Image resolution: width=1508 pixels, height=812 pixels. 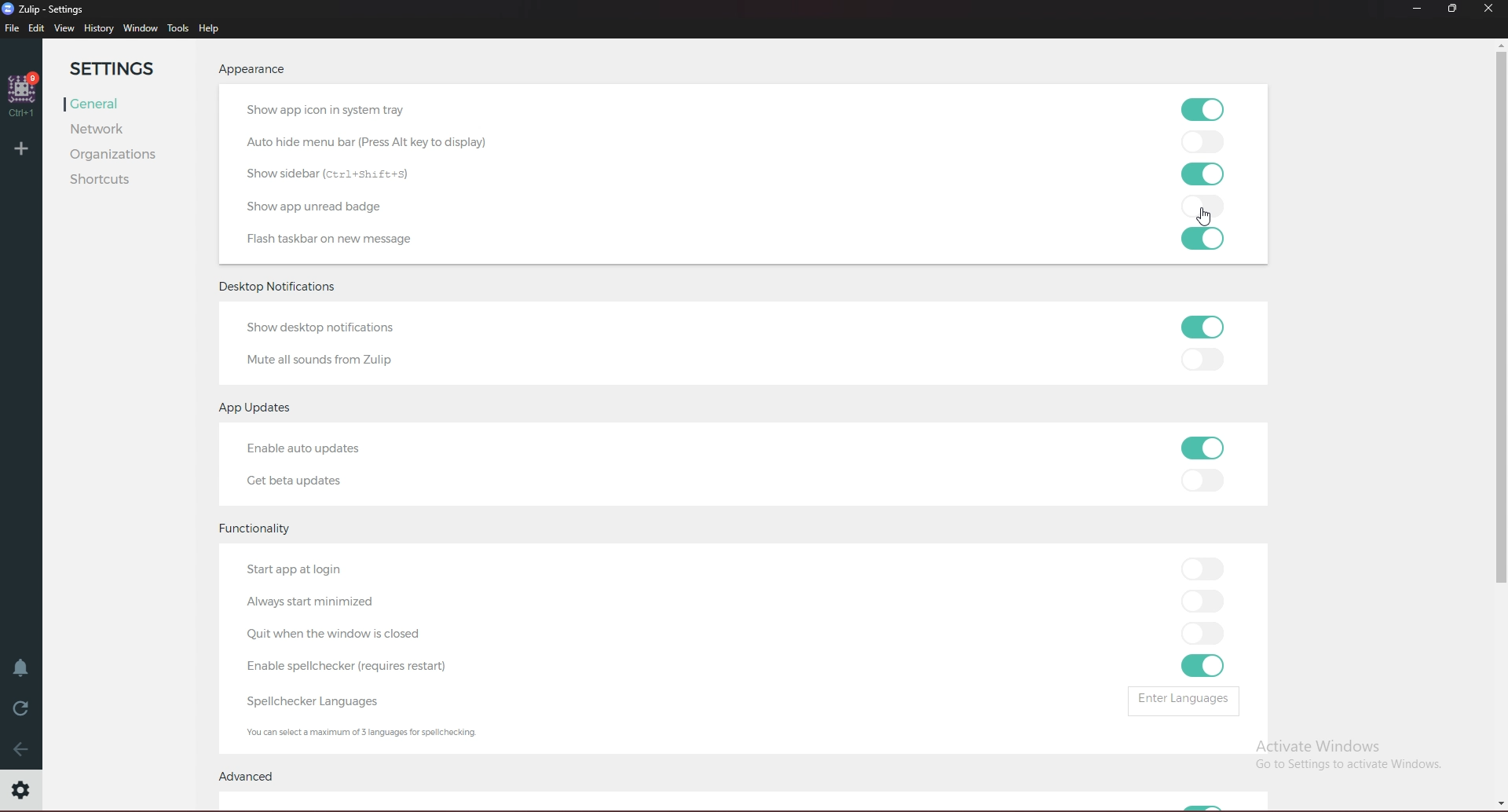 I want to click on toggle, so click(x=1207, y=446).